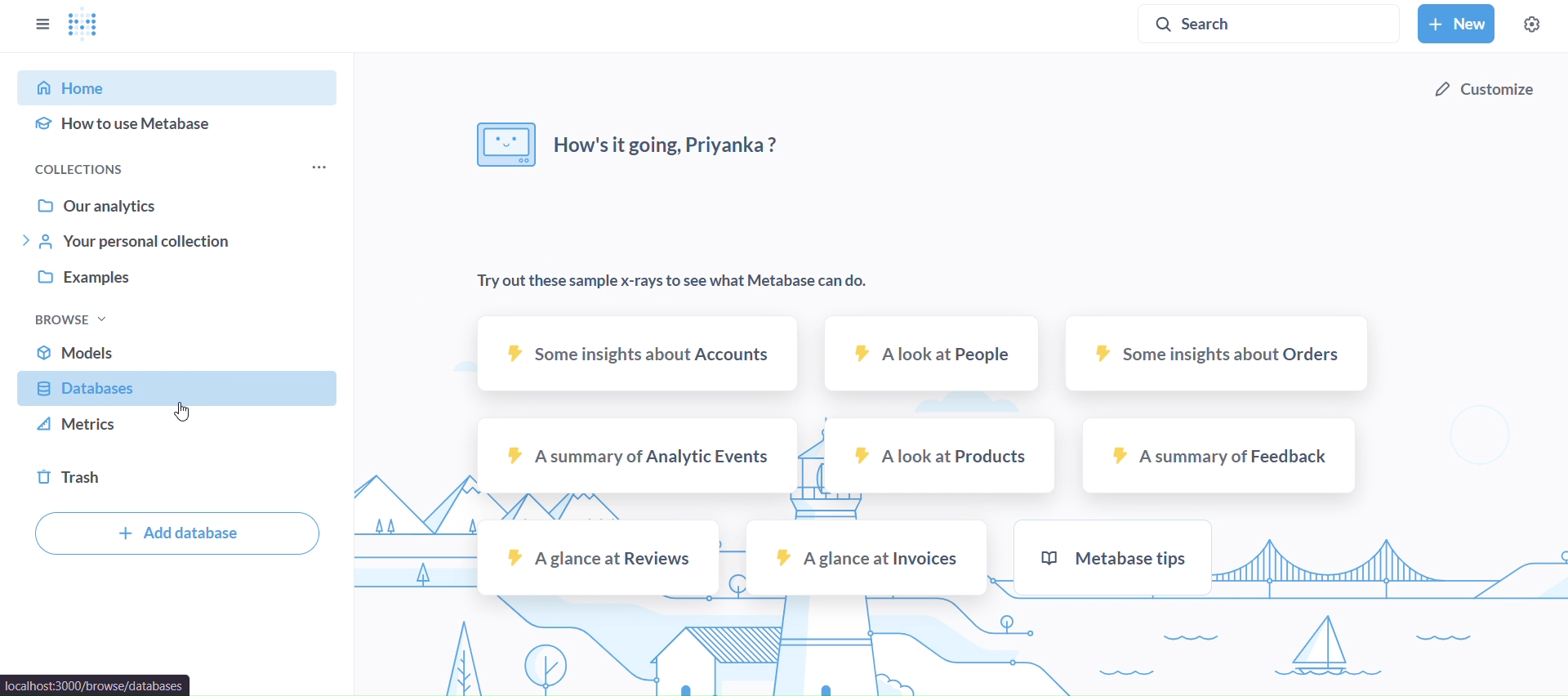  I want to click on a look atproducts, so click(943, 454).